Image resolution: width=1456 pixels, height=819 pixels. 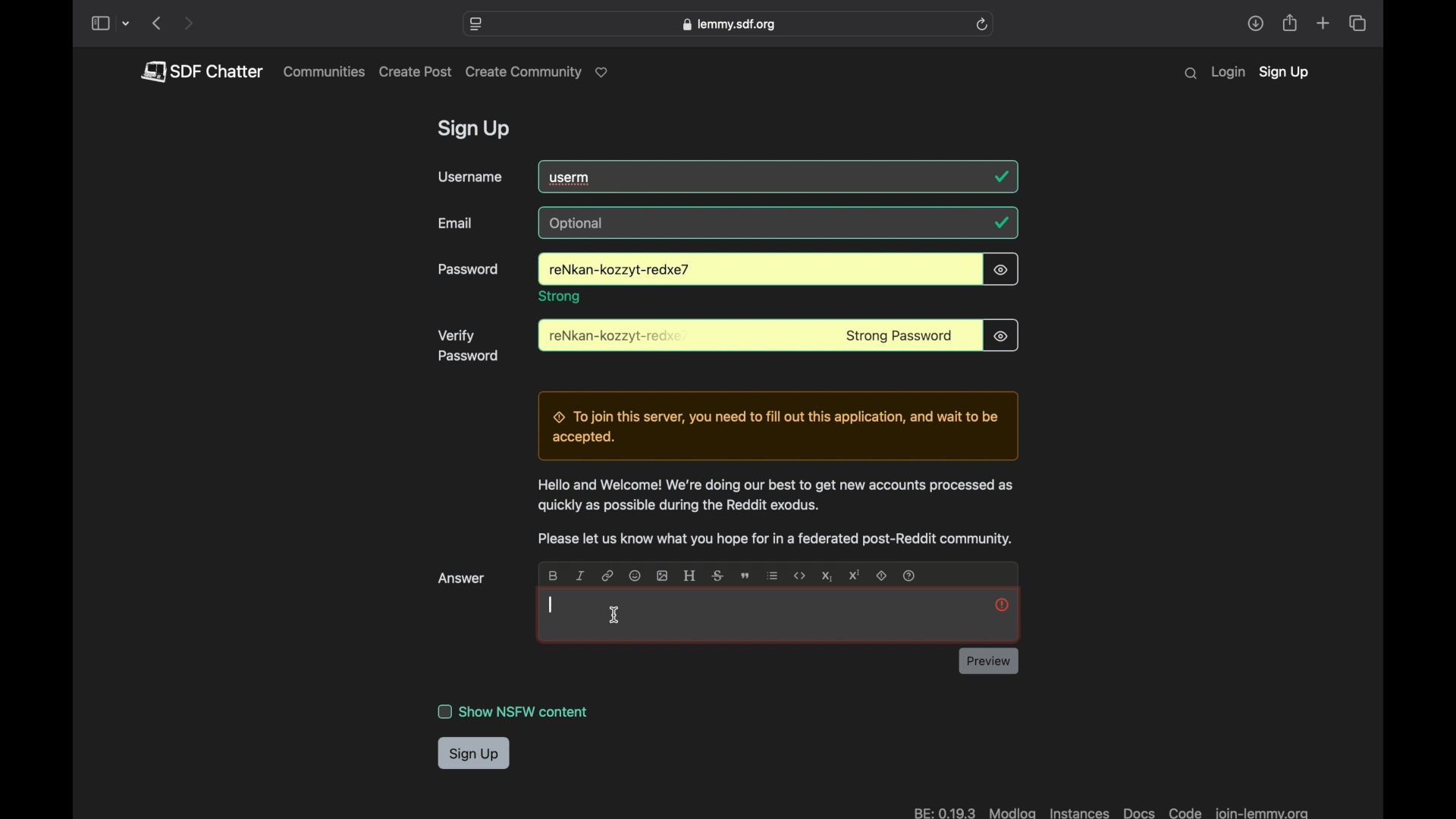 I want to click on tab group picker, so click(x=127, y=24).